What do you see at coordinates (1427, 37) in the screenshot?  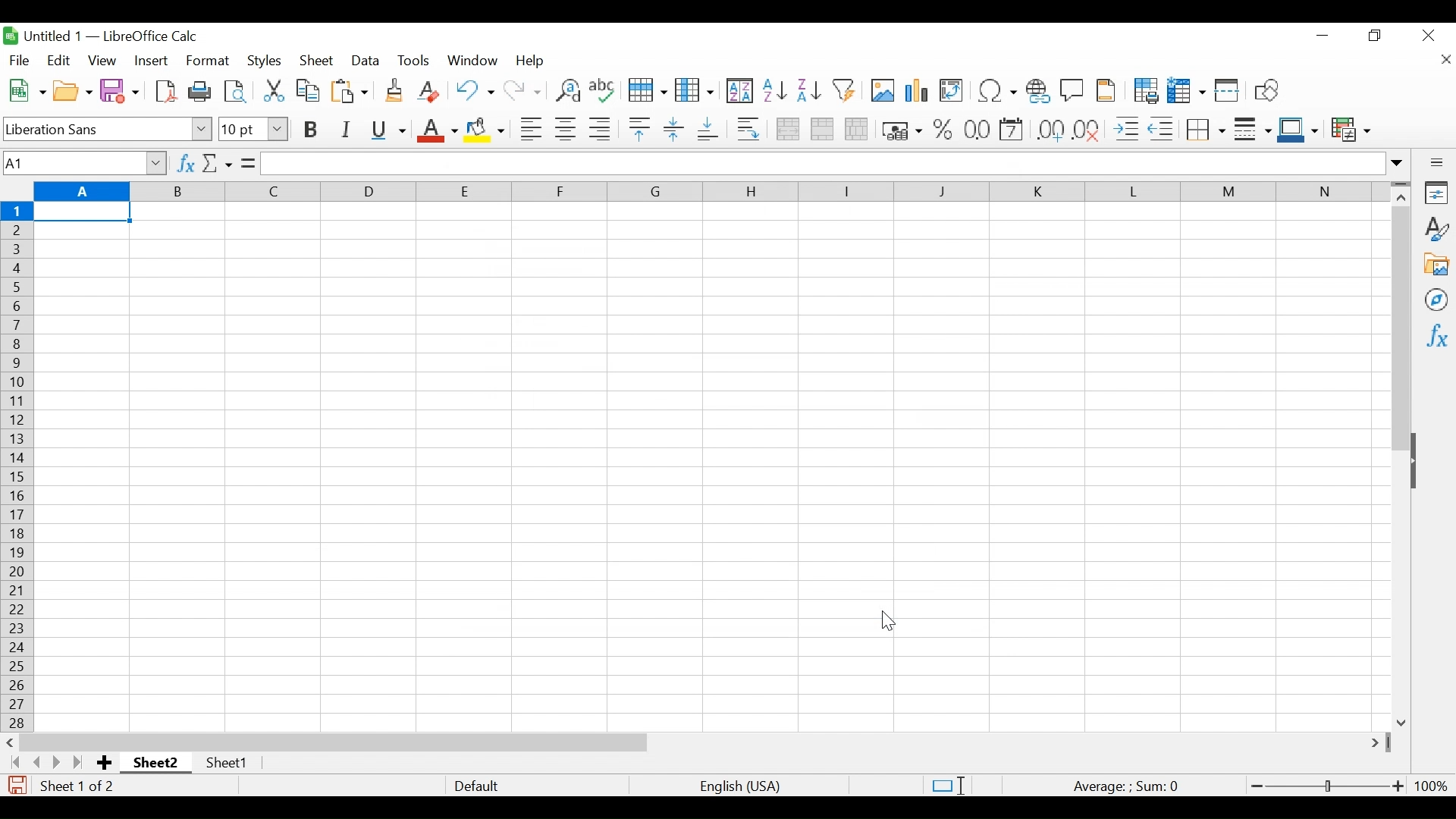 I see `Close` at bounding box center [1427, 37].